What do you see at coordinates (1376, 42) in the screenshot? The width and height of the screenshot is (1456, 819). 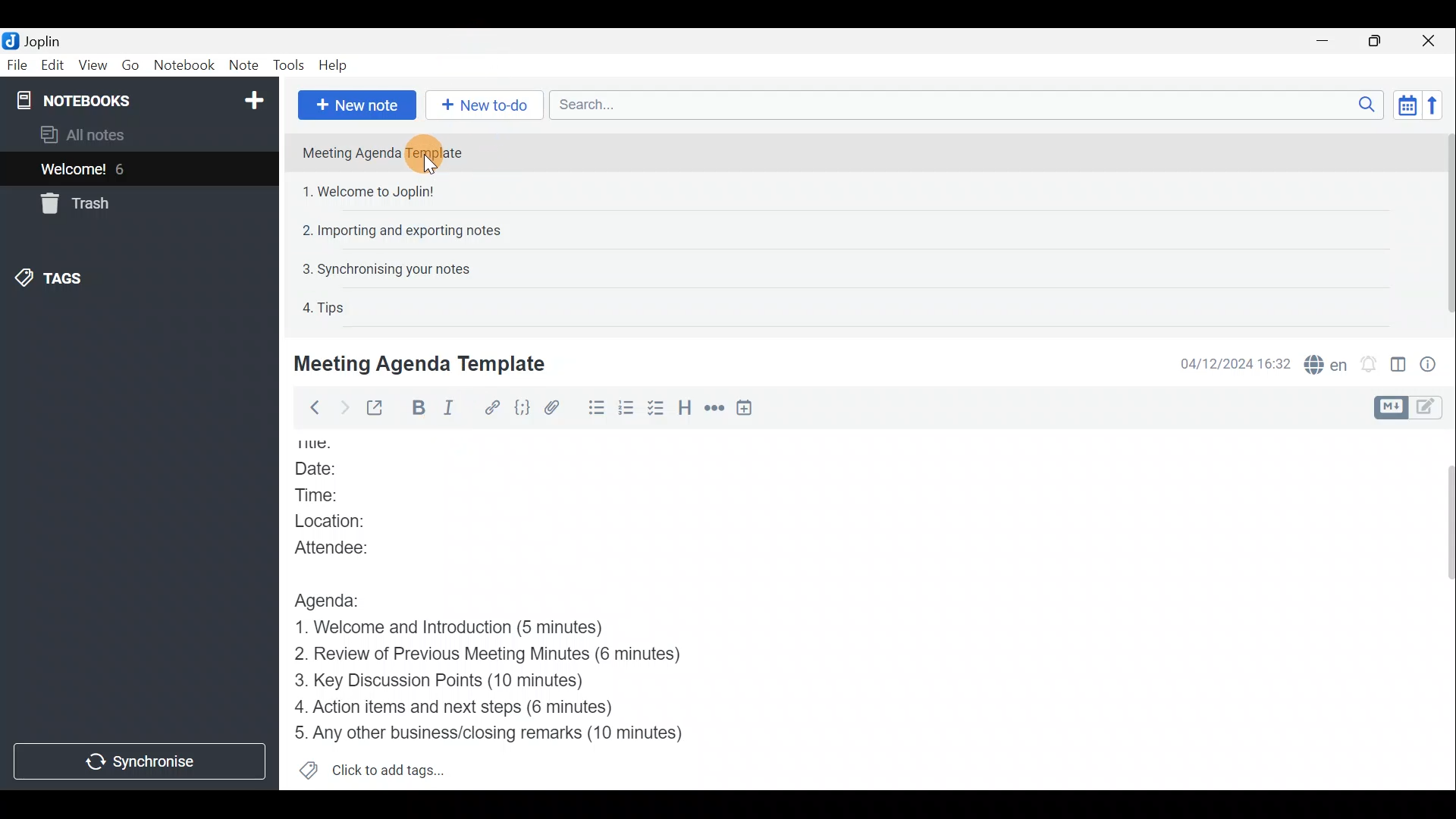 I see `Maximise` at bounding box center [1376, 42].